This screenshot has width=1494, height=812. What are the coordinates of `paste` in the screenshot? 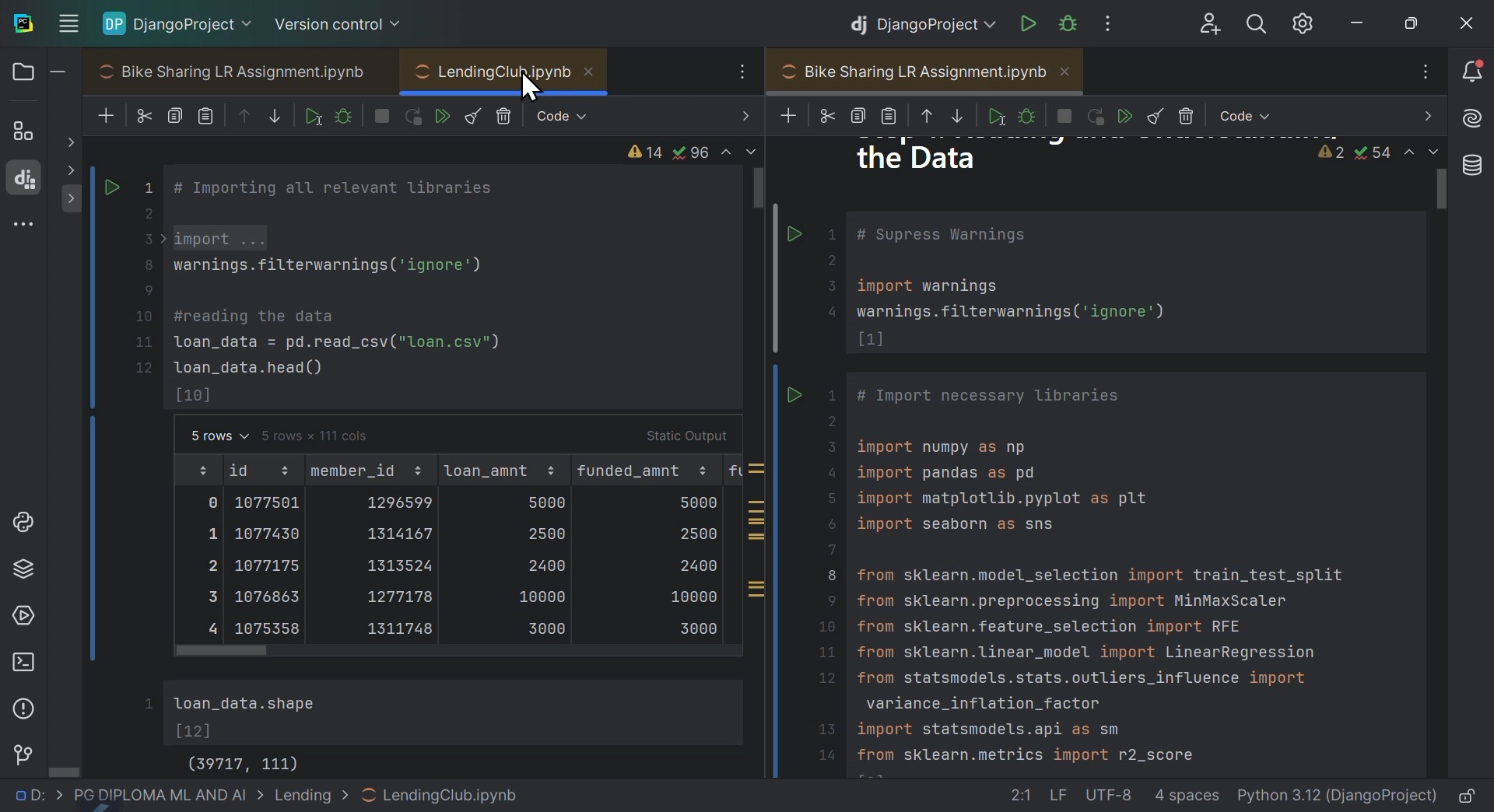 It's located at (209, 117).